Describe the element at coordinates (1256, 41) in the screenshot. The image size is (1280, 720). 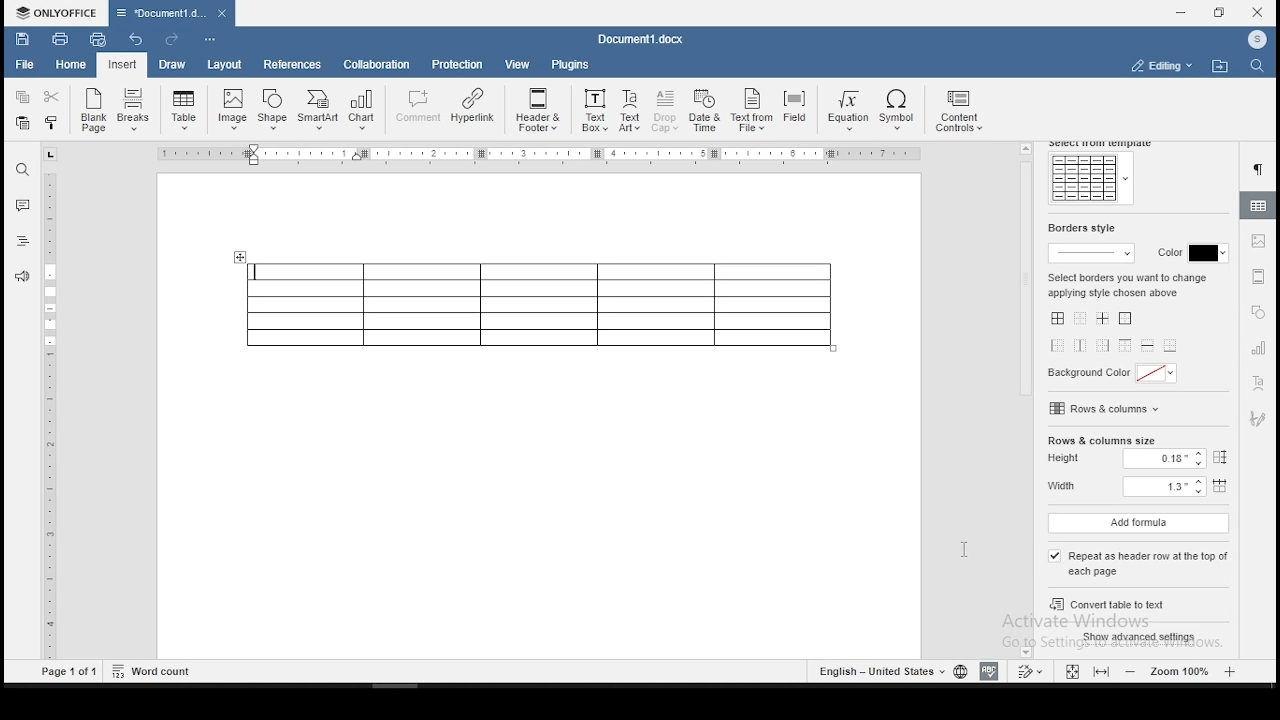
I see `ICON` at that location.